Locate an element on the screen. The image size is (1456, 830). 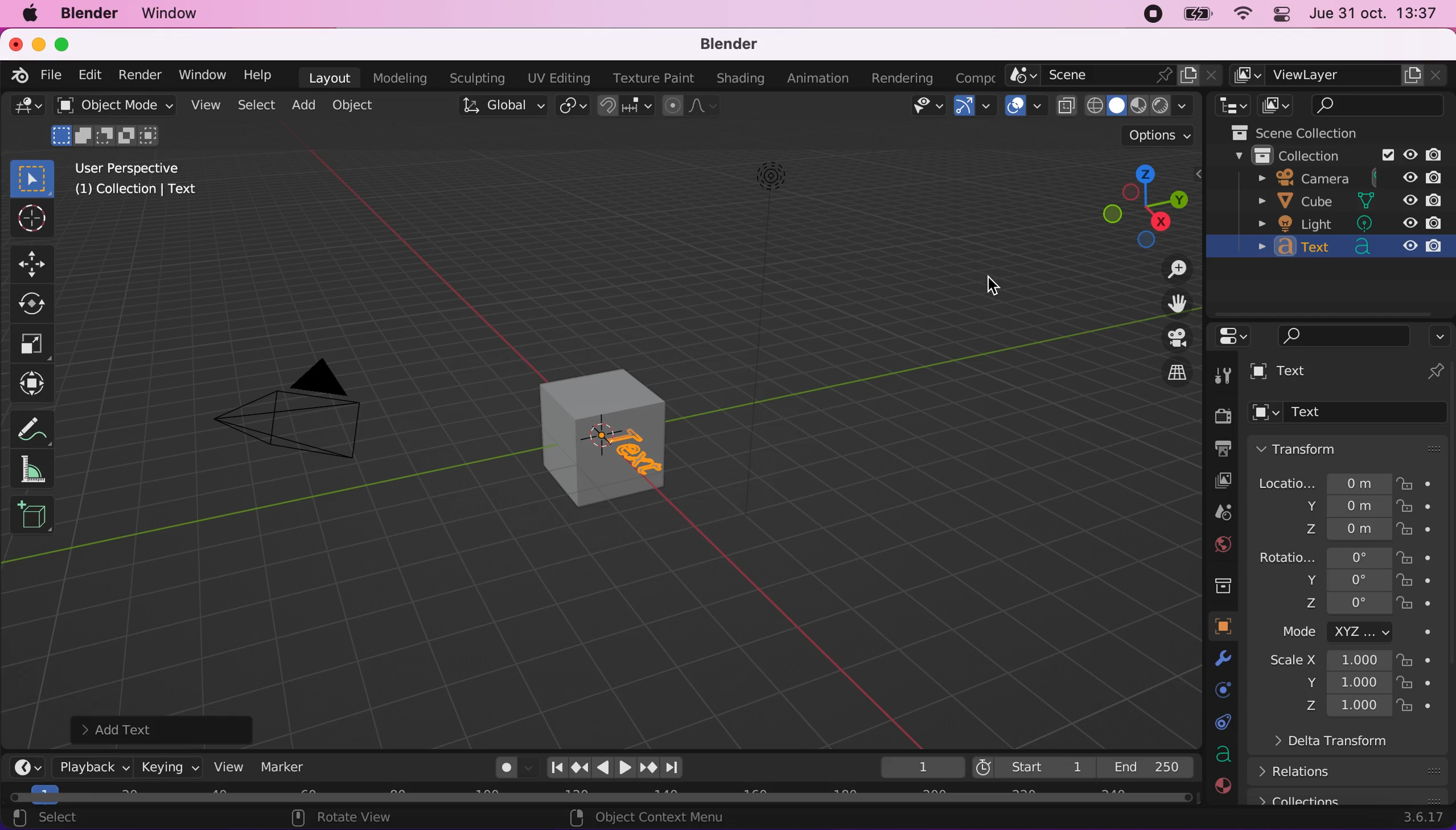
view object types is located at coordinates (927, 108).